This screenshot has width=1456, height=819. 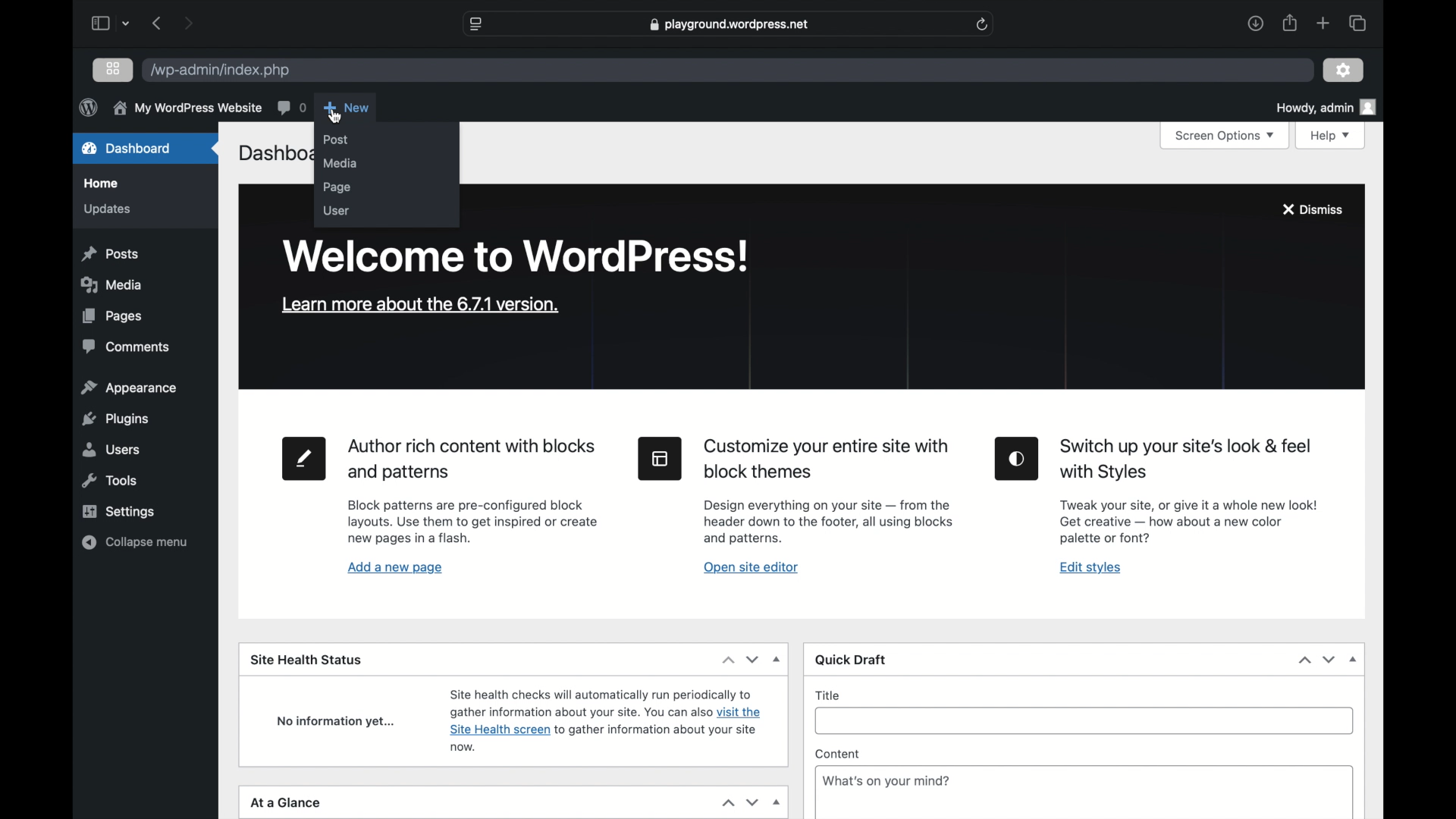 I want to click on stepper buttons, so click(x=1316, y=661).